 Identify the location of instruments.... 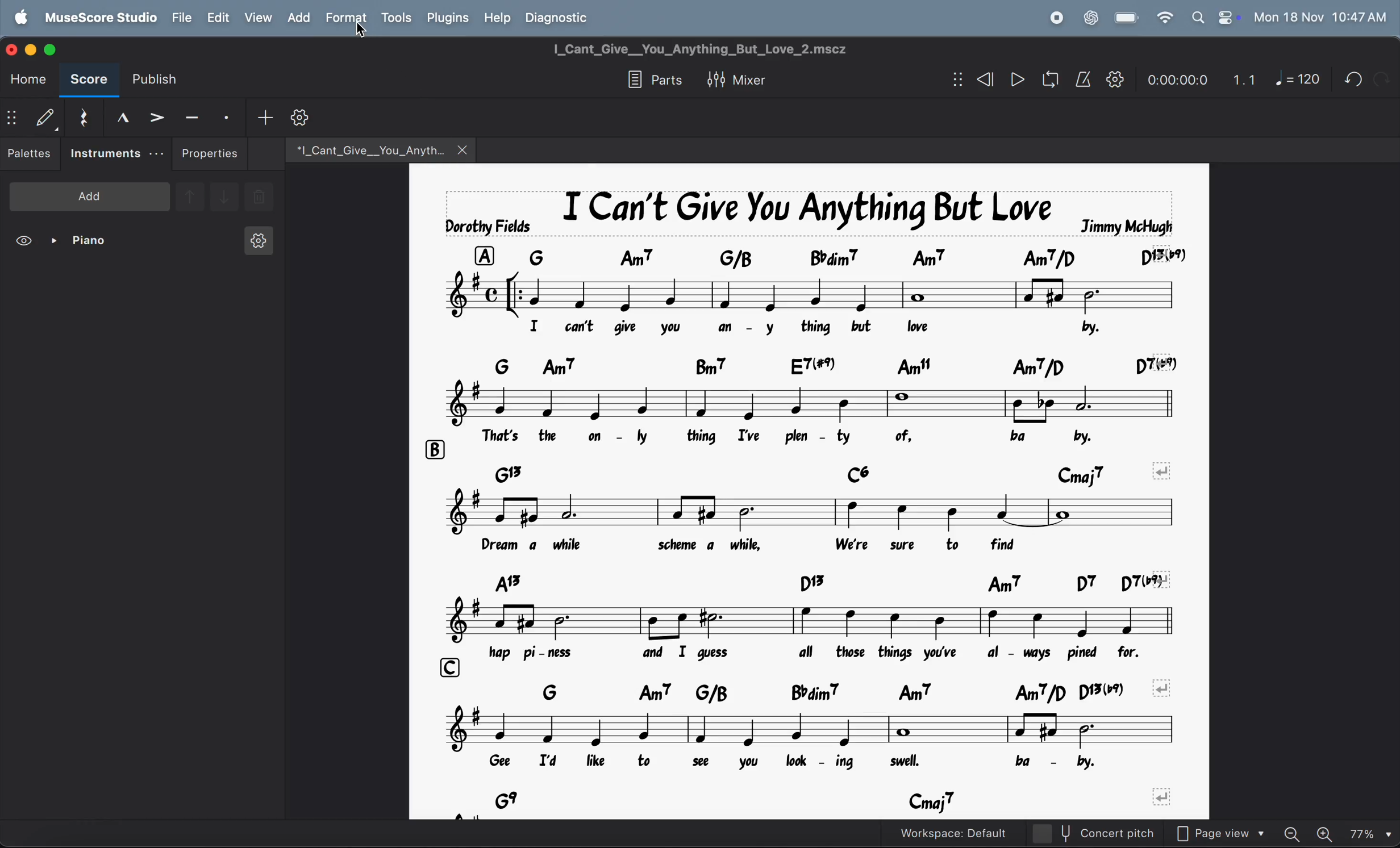
(116, 154).